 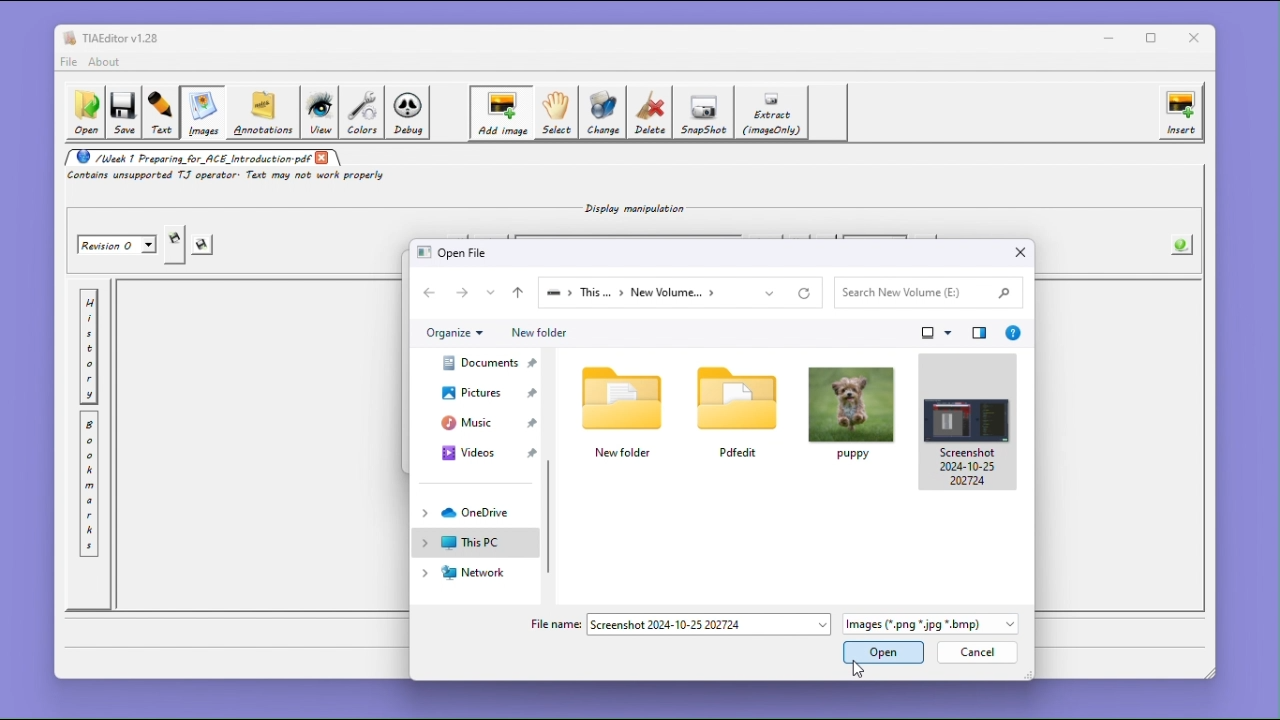 What do you see at coordinates (930, 626) in the screenshot?
I see `images (*.png*.jpg*.bmp)` at bounding box center [930, 626].